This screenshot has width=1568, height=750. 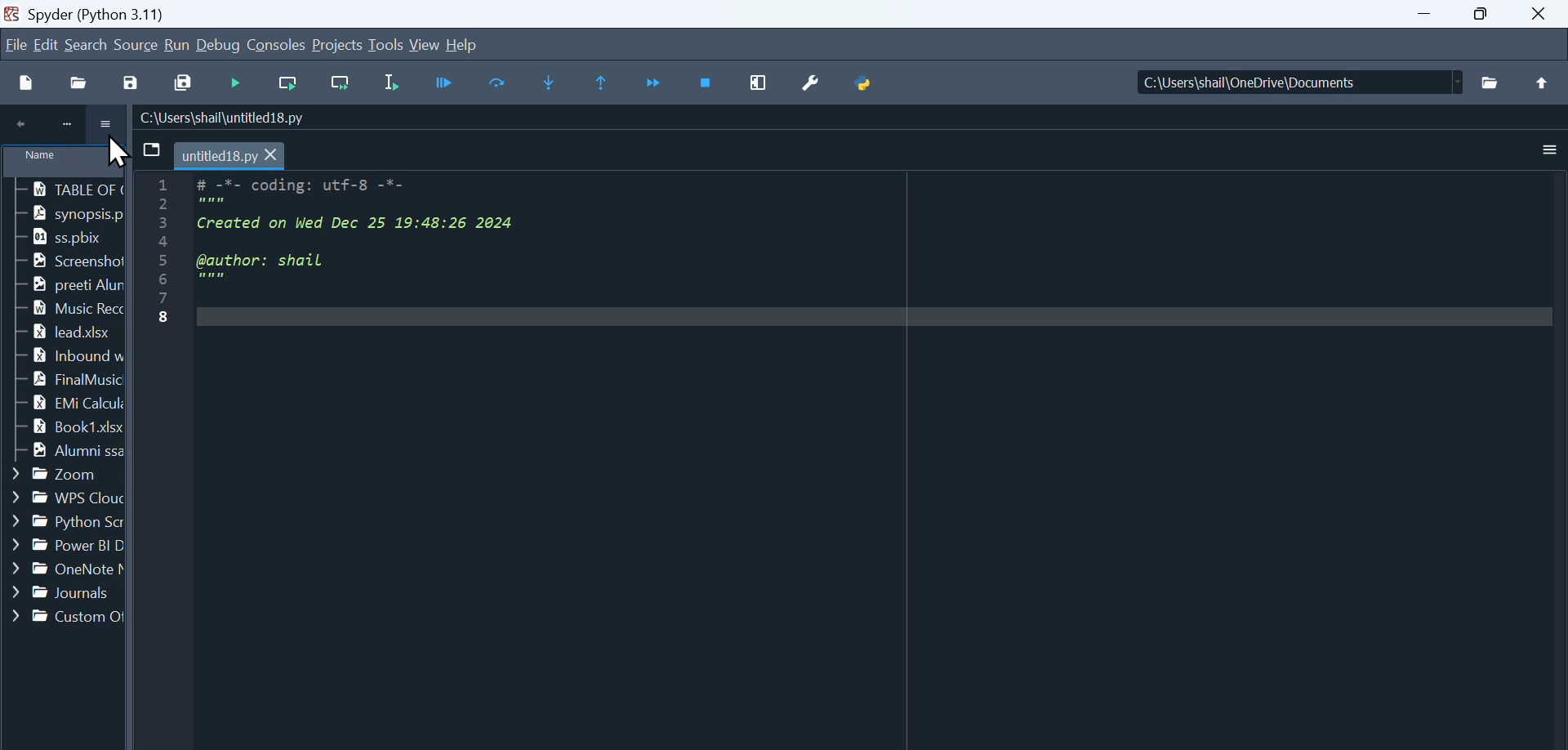 I want to click on Screenshot.., so click(x=69, y=261).